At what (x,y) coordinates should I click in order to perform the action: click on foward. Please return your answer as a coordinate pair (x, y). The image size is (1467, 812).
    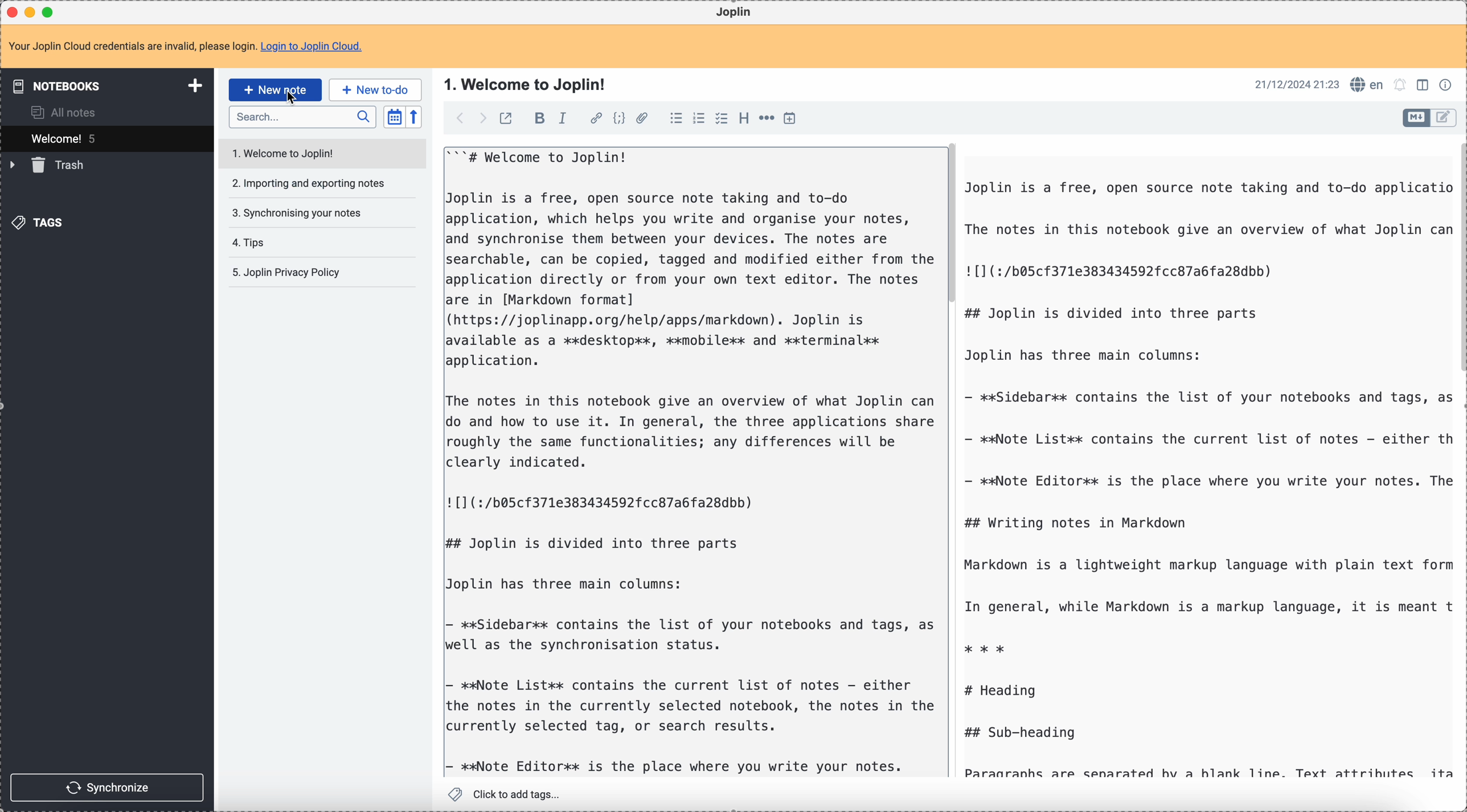
    Looking at the image, I should click on (481, 118).